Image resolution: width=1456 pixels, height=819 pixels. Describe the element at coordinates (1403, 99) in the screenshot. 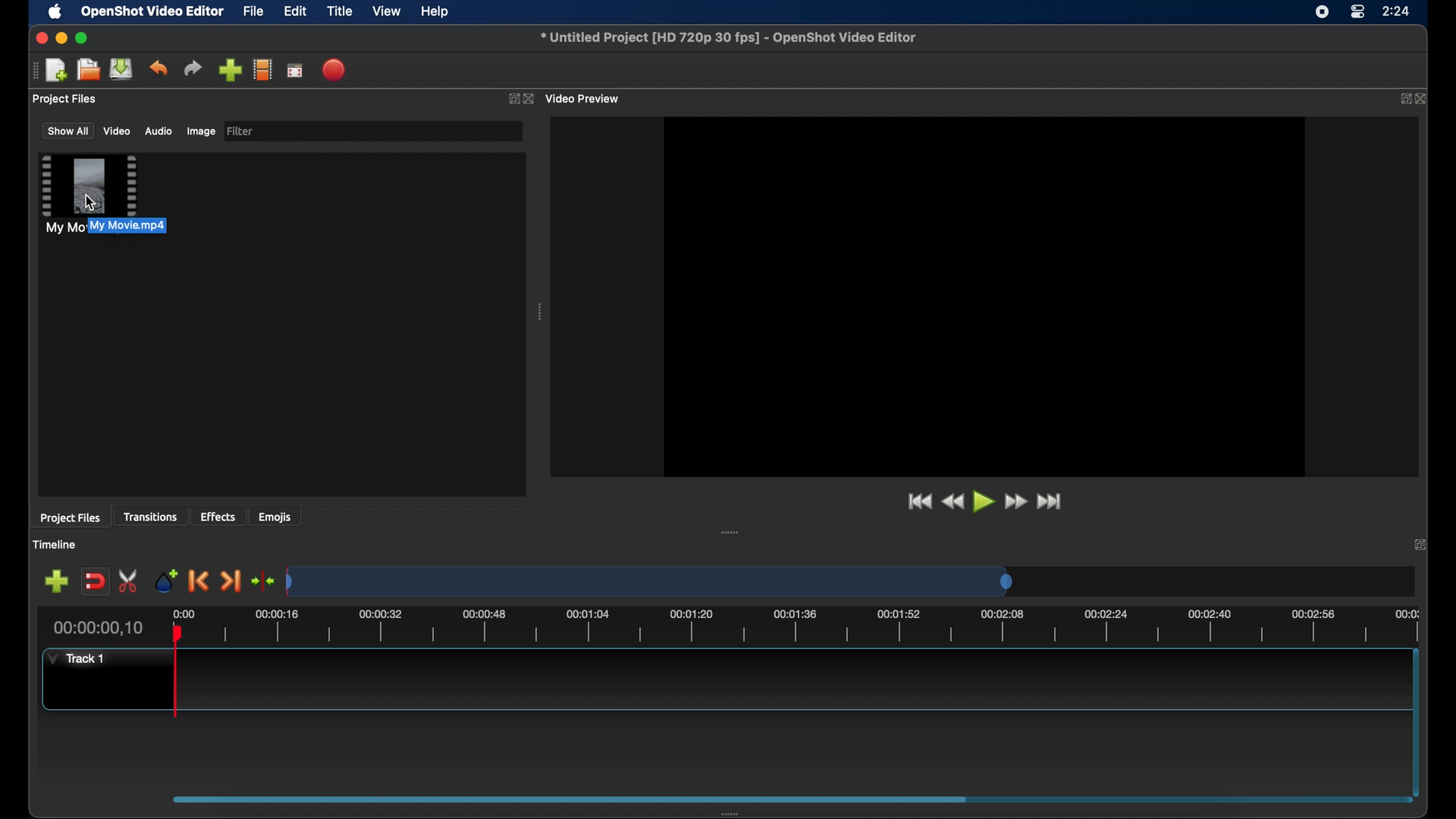

I see `expand` at that location.